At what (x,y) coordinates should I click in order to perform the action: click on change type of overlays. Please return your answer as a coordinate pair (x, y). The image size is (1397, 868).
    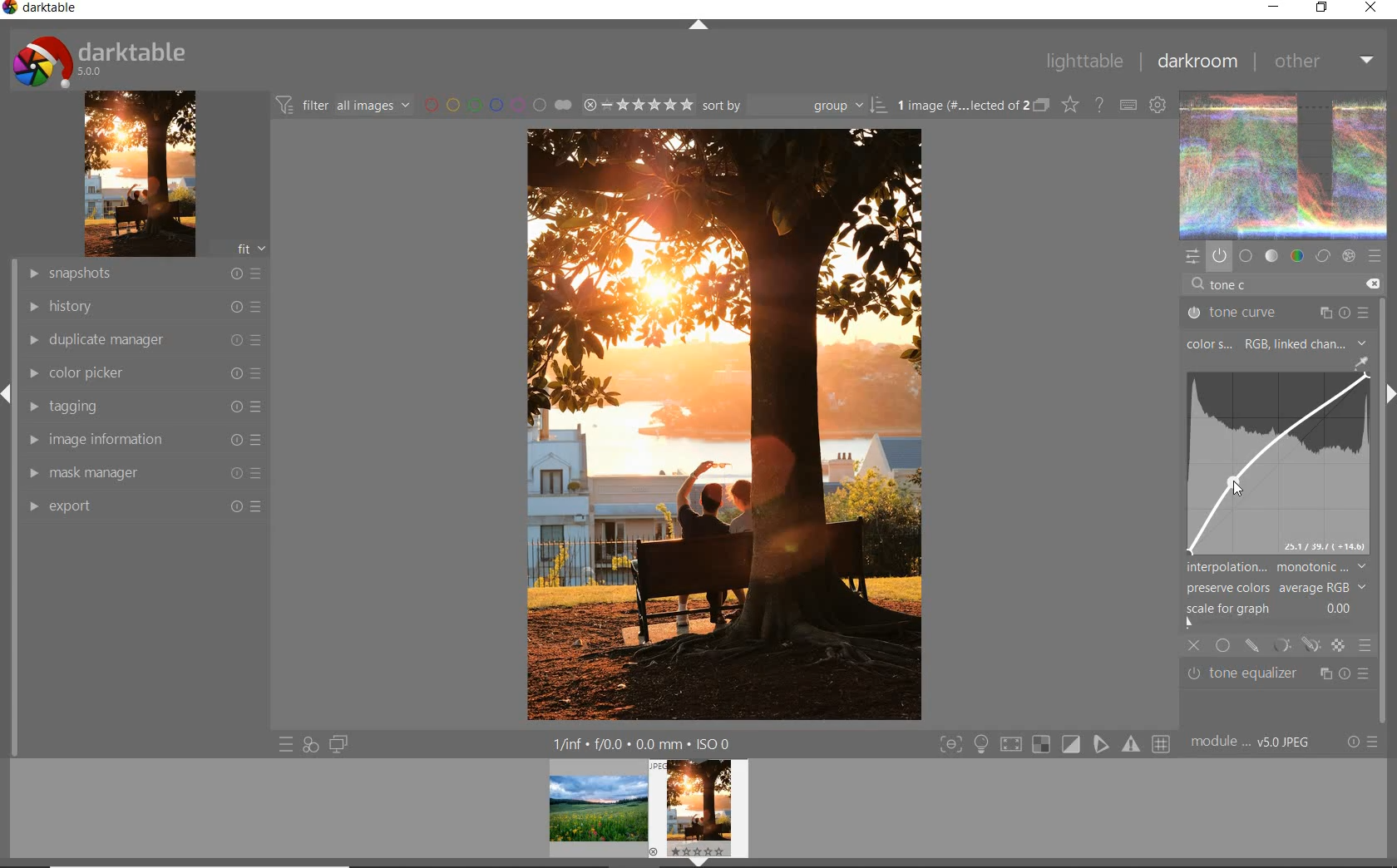
    Looking at the image, I should click on (1071, 104).